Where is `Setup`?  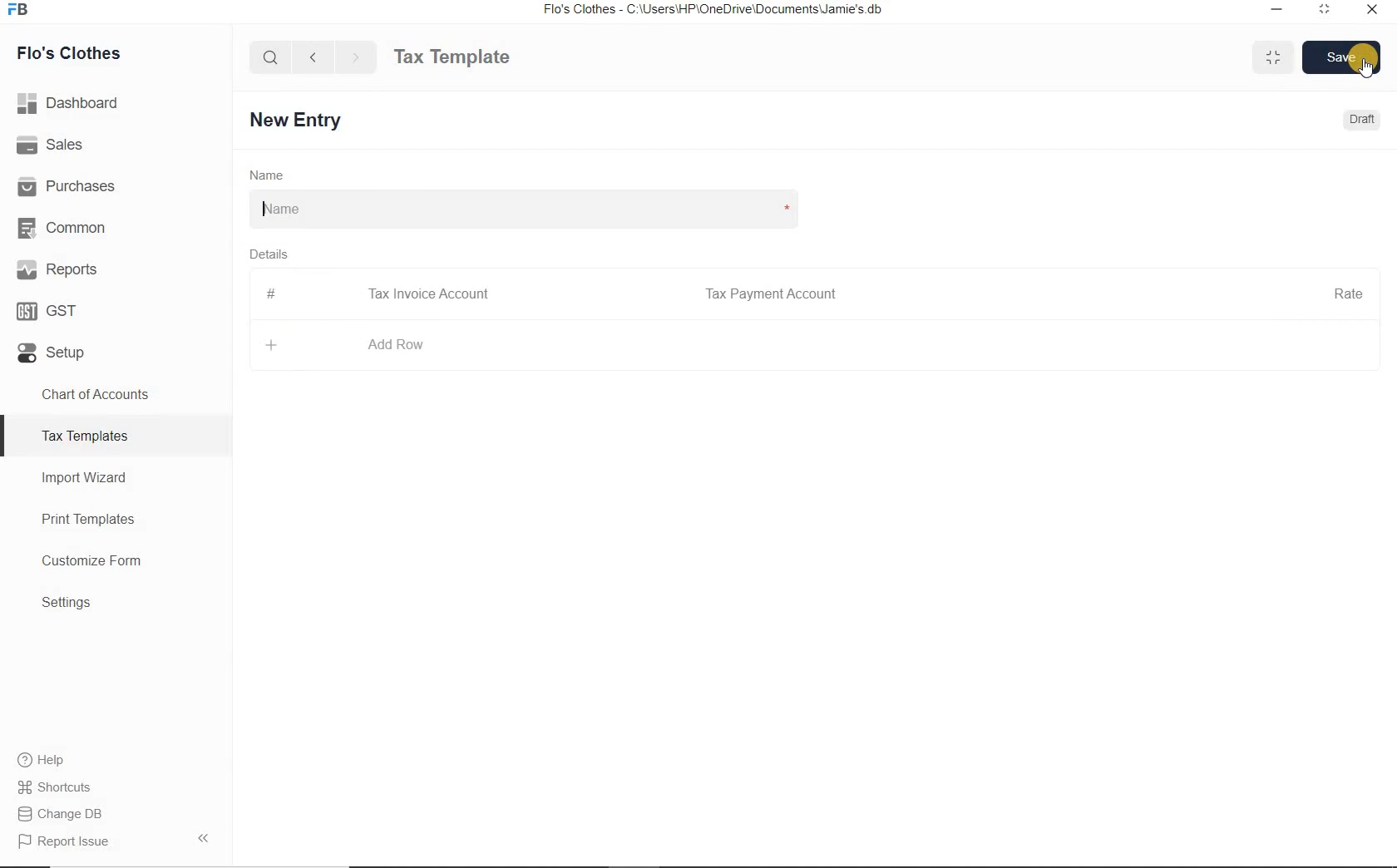 Setup is located at coordinates (116, 349).